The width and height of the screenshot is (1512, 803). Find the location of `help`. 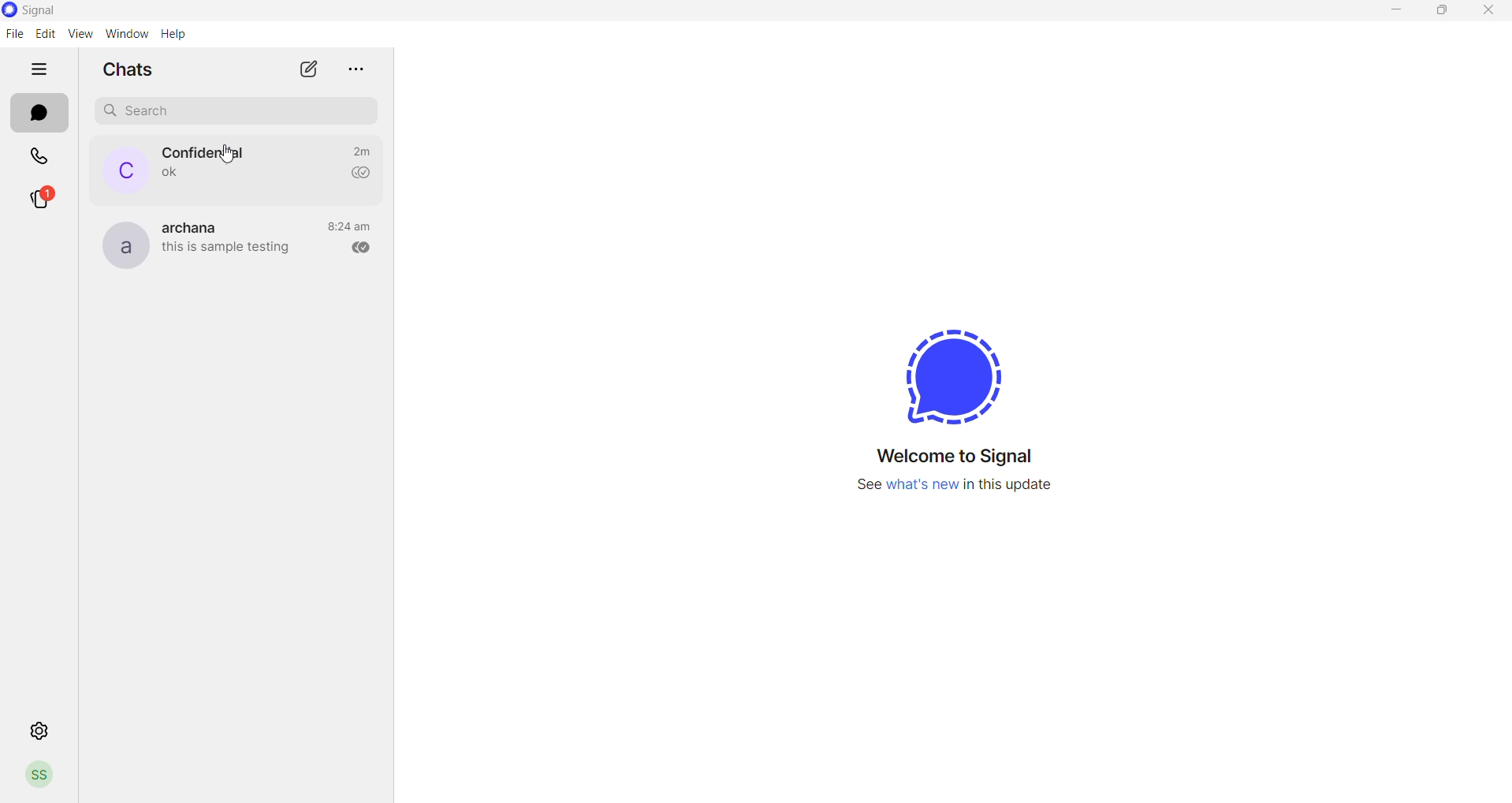

help is located at coordinates (172, 33).